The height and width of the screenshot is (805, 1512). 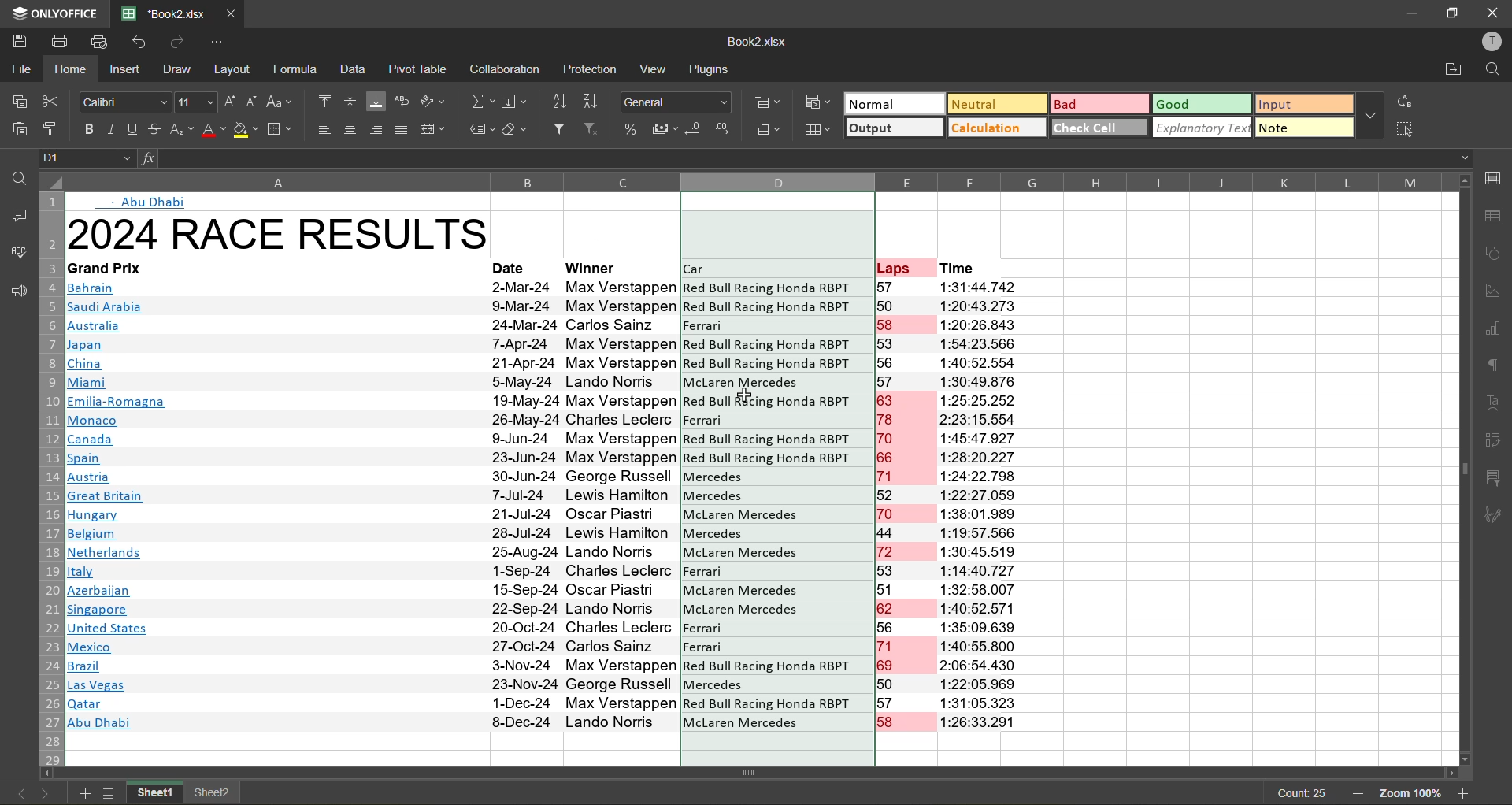 I want to click on Netherlands 25-Aug-24 Lando Norris McLaren Mercedes 72 1:30:45.519, so click(x=543, y=552).